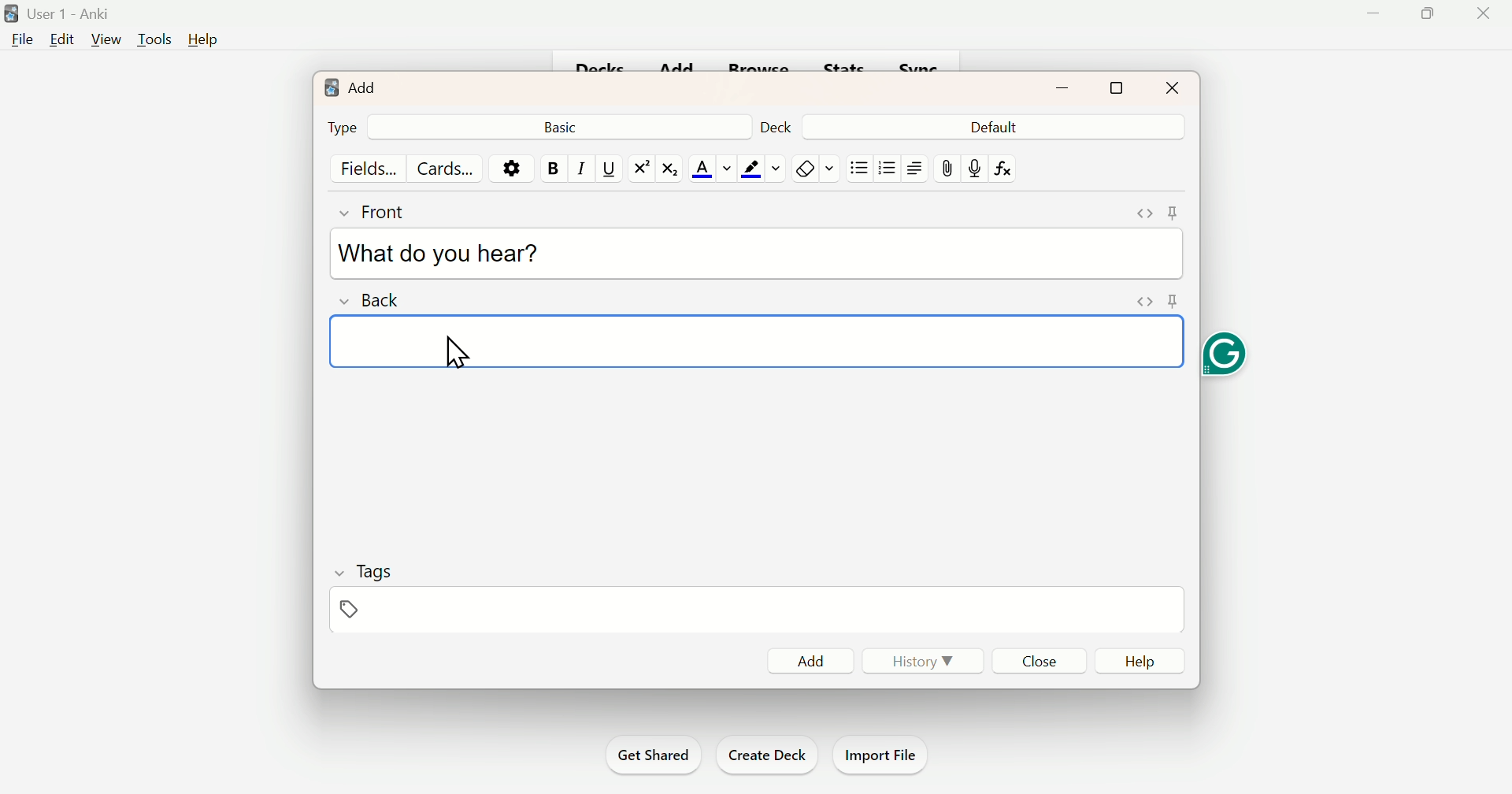  Describe the element at coordinates (991, 128) in the screenshot. I see `Default` at that location.